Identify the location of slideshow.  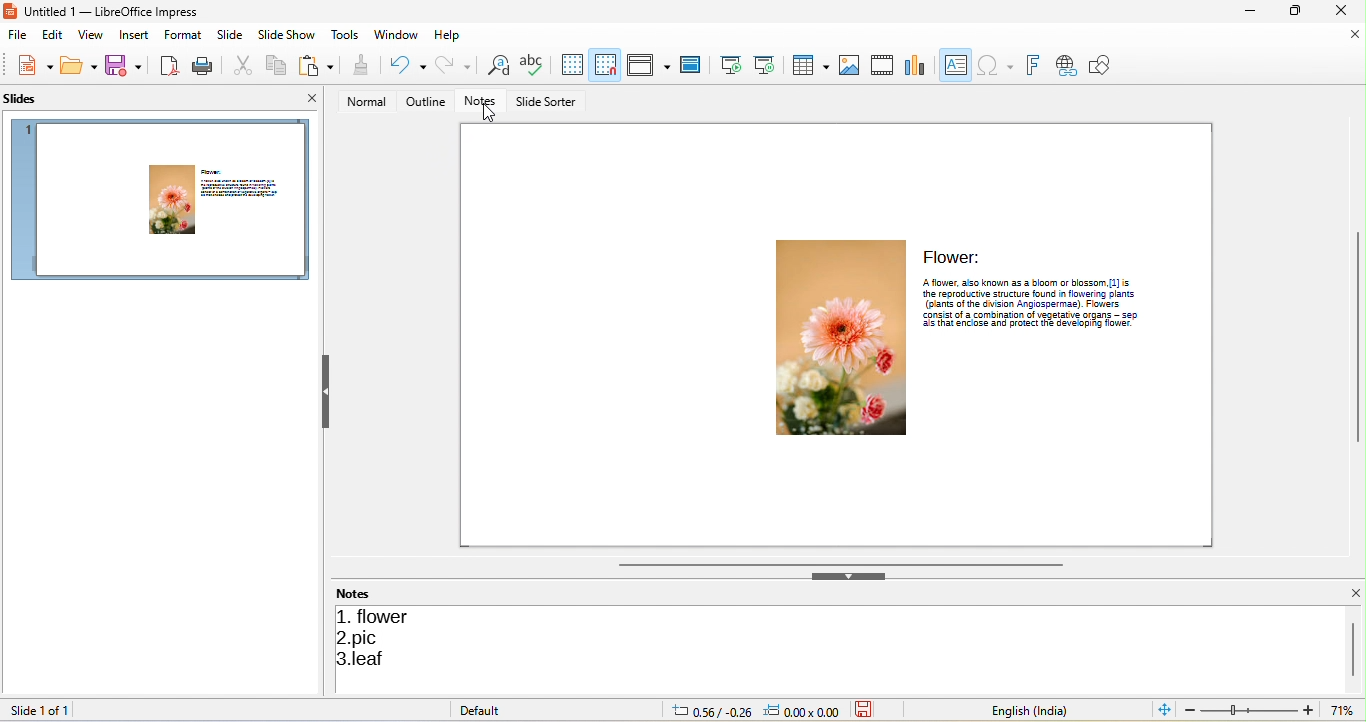
(287, 35).